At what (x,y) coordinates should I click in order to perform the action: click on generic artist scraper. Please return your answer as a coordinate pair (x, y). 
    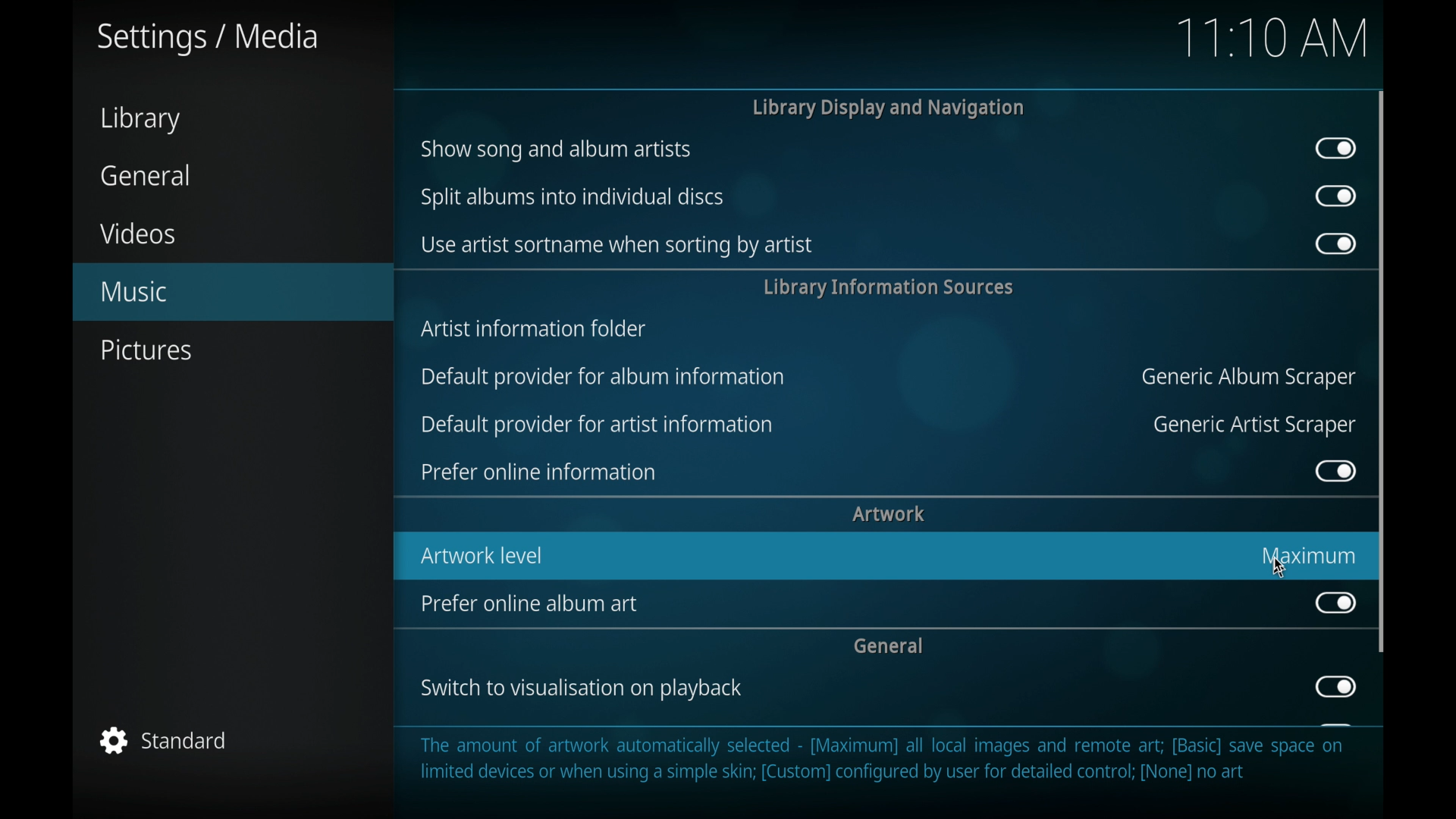
    Looking at the image, I should click on (1254, 426).